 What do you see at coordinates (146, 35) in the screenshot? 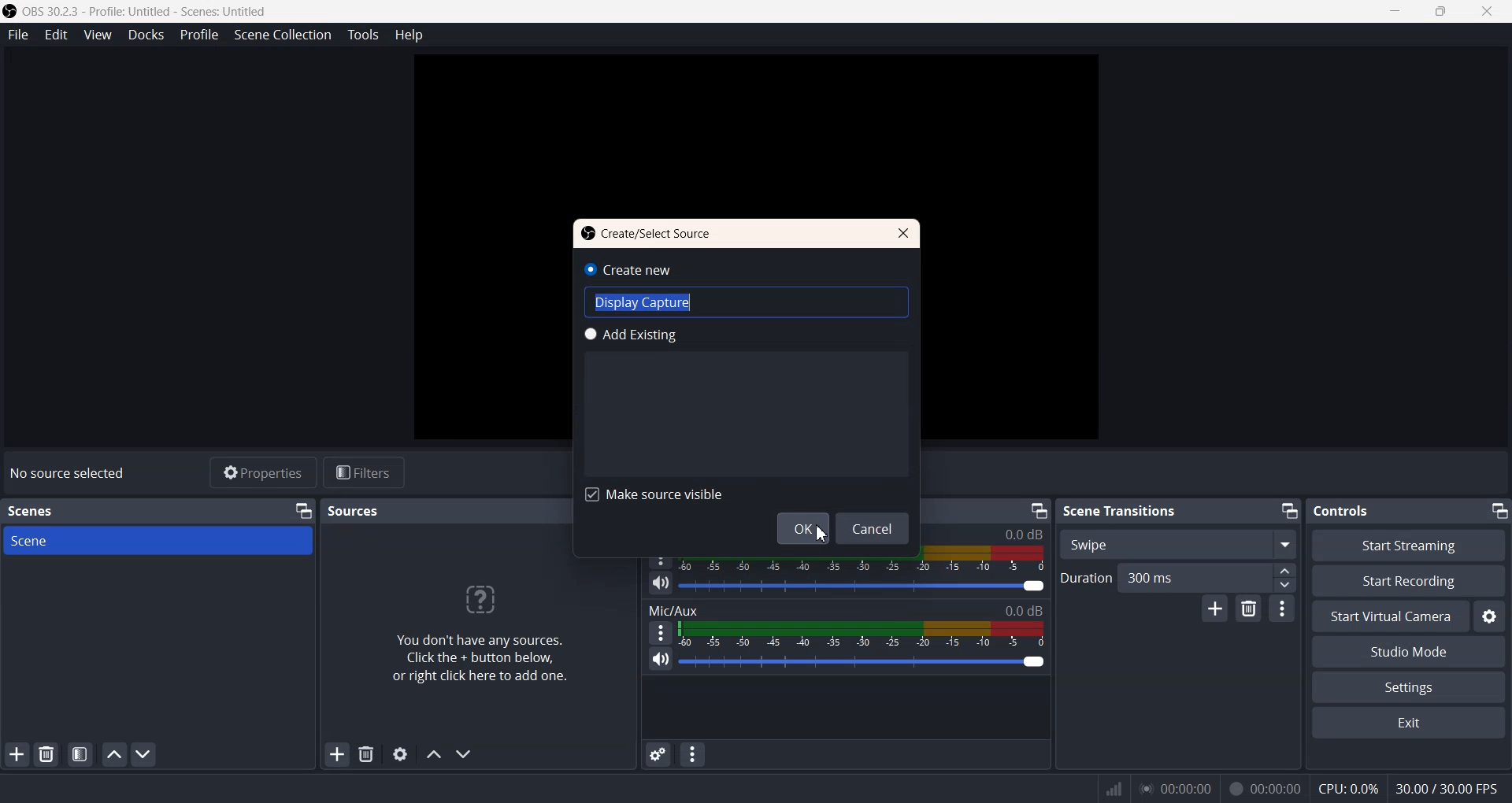
I see `Docks` at bounding box center [146, 35].